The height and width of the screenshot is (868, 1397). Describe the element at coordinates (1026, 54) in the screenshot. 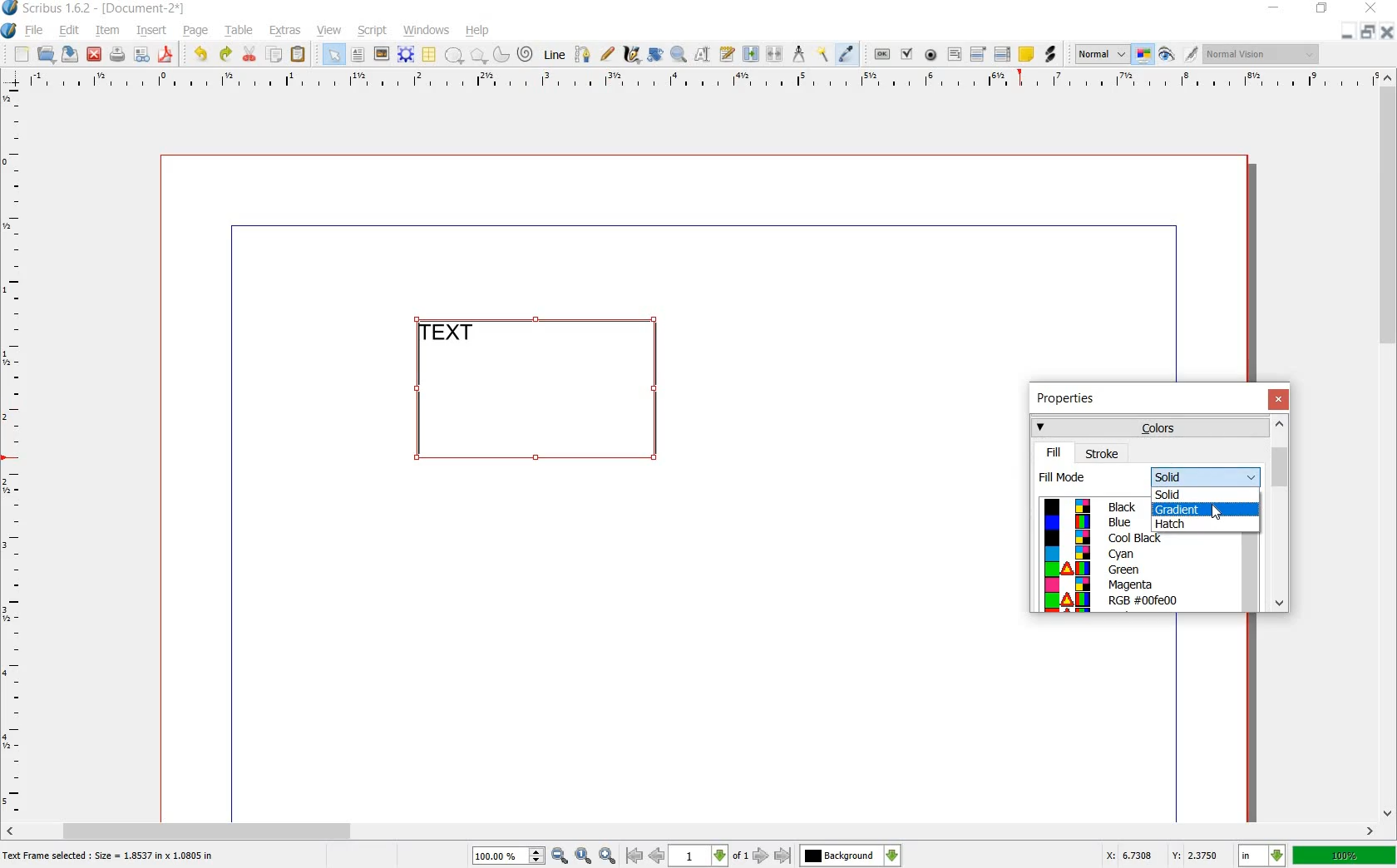

I see `text annotation` at that location.